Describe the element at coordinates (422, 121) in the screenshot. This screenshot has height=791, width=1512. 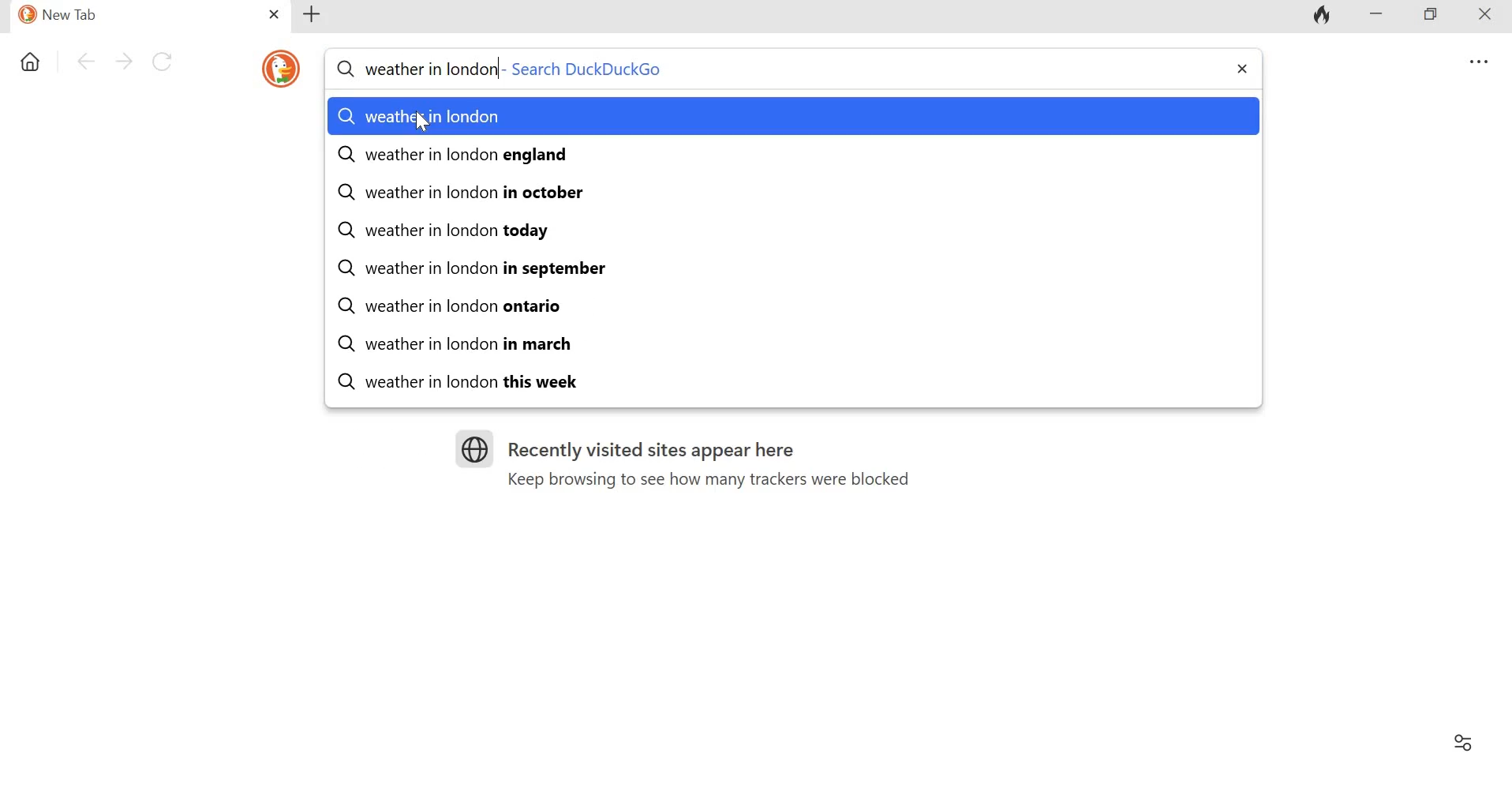
I see `Cursor` at that location.